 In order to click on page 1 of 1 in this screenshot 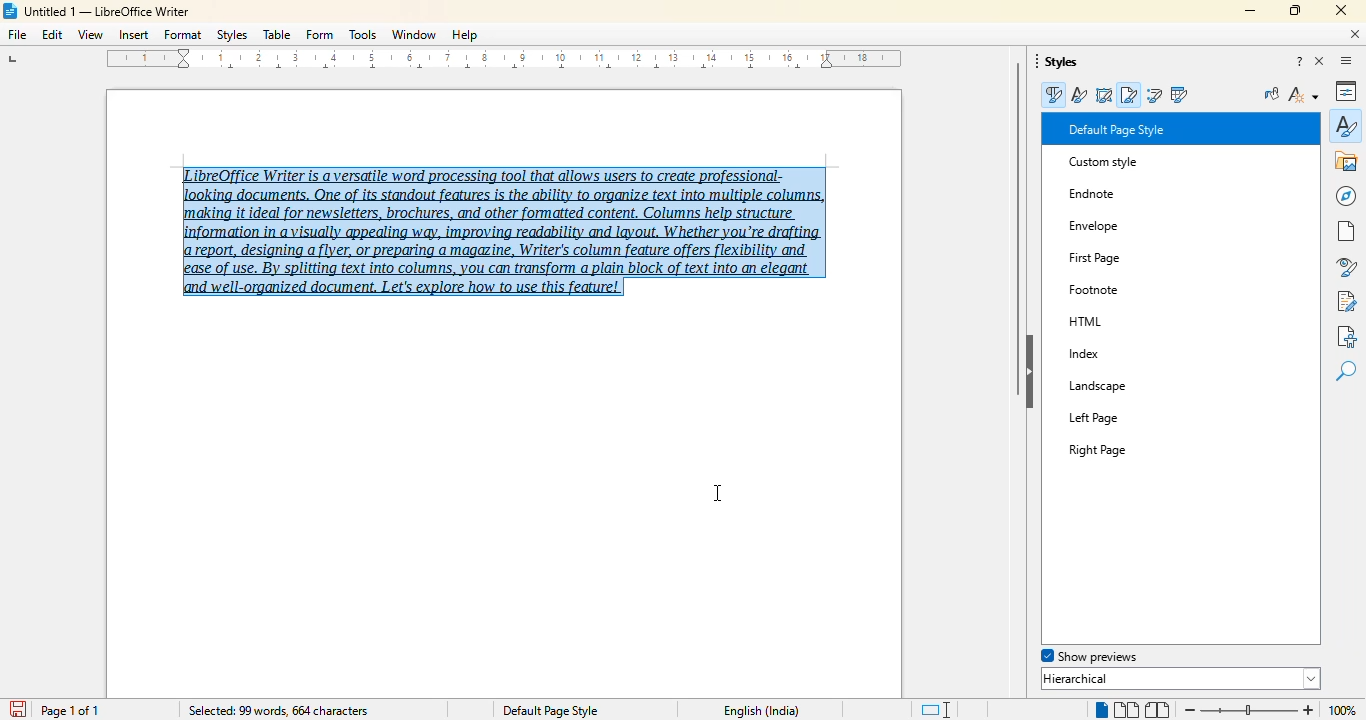, I will do `click(71, 711)`.